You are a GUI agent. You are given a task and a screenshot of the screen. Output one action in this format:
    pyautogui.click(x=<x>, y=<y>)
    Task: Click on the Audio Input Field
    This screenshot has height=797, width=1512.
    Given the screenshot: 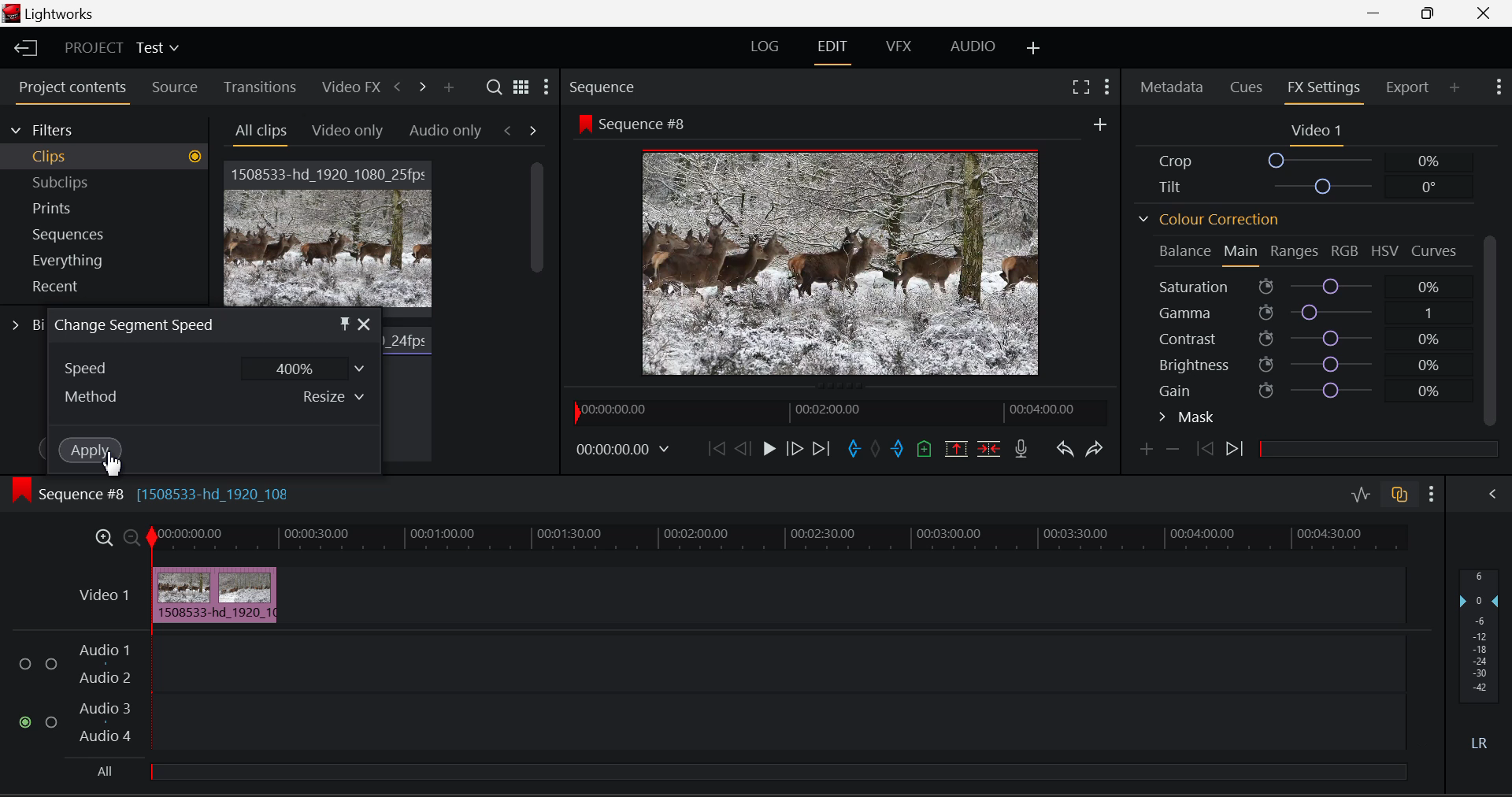 What is the action you would take?
    pyautogui.click(x=776, y=722)
    